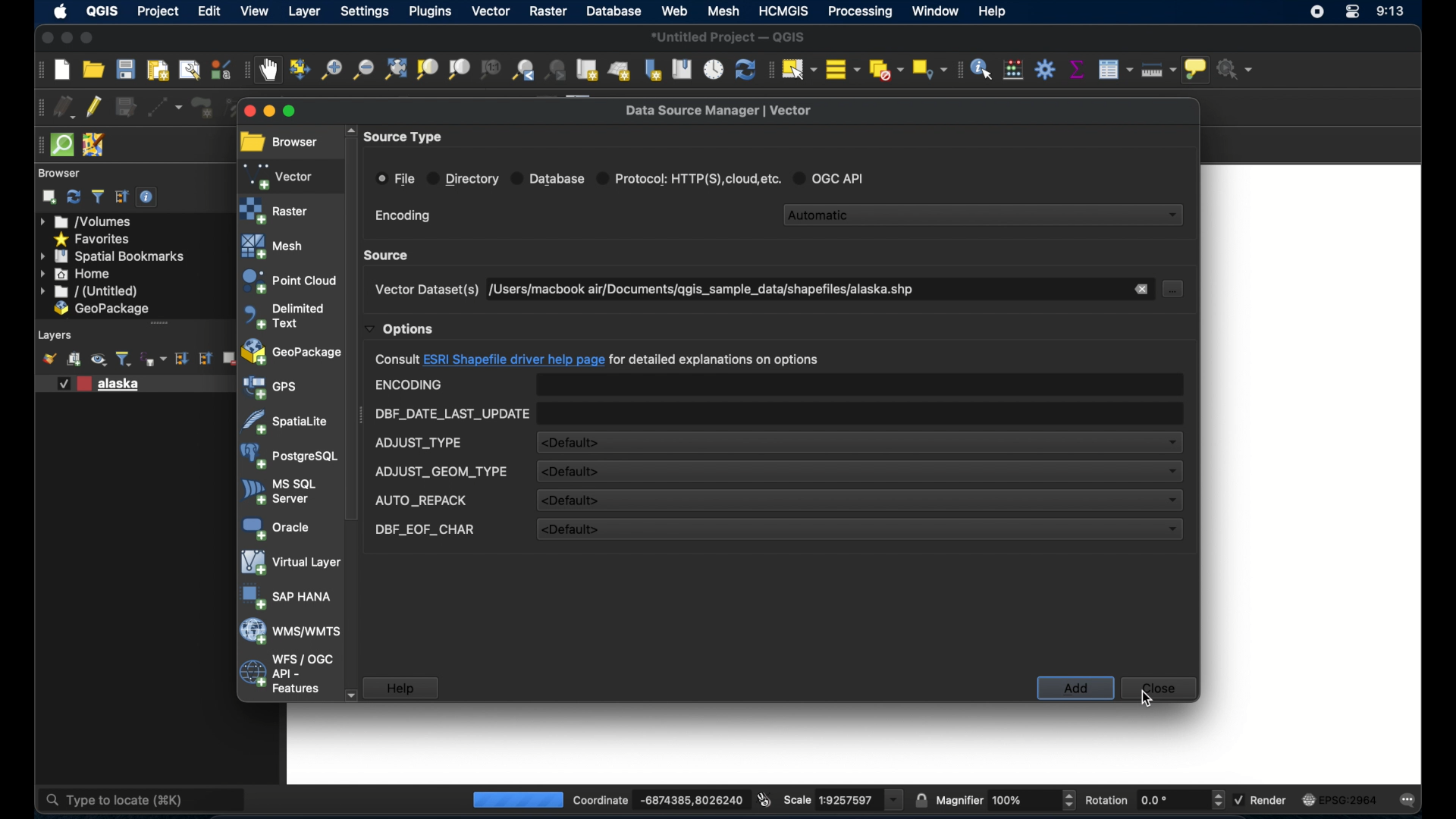  What do you see at coordinates (396, 178) in the screenshot?
I see `File` at bounding box center [396, 178].